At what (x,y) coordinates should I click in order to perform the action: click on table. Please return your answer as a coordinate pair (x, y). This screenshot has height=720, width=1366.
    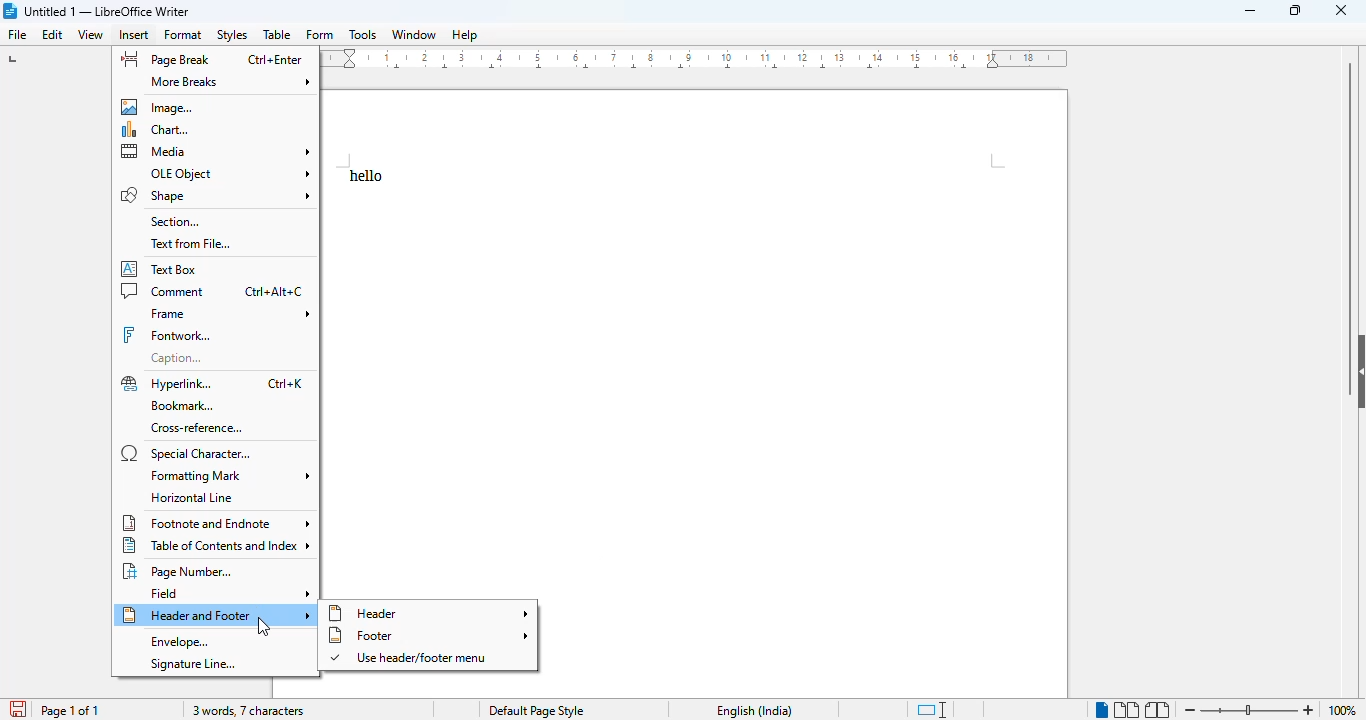
    Looking at the image, I should click on (277, 34).